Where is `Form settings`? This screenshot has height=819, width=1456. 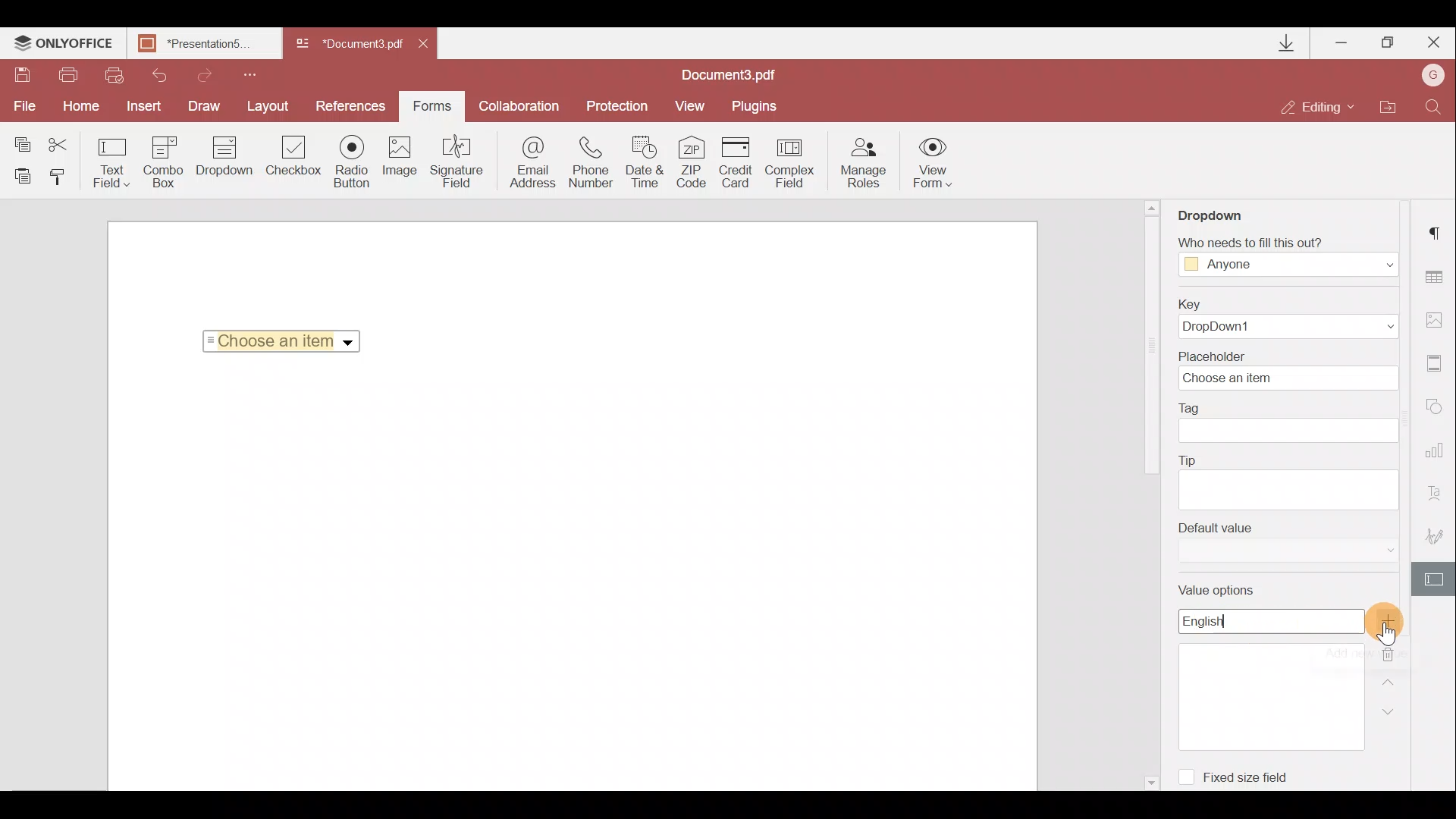 Form settings is located at coordinates (1436, 579).